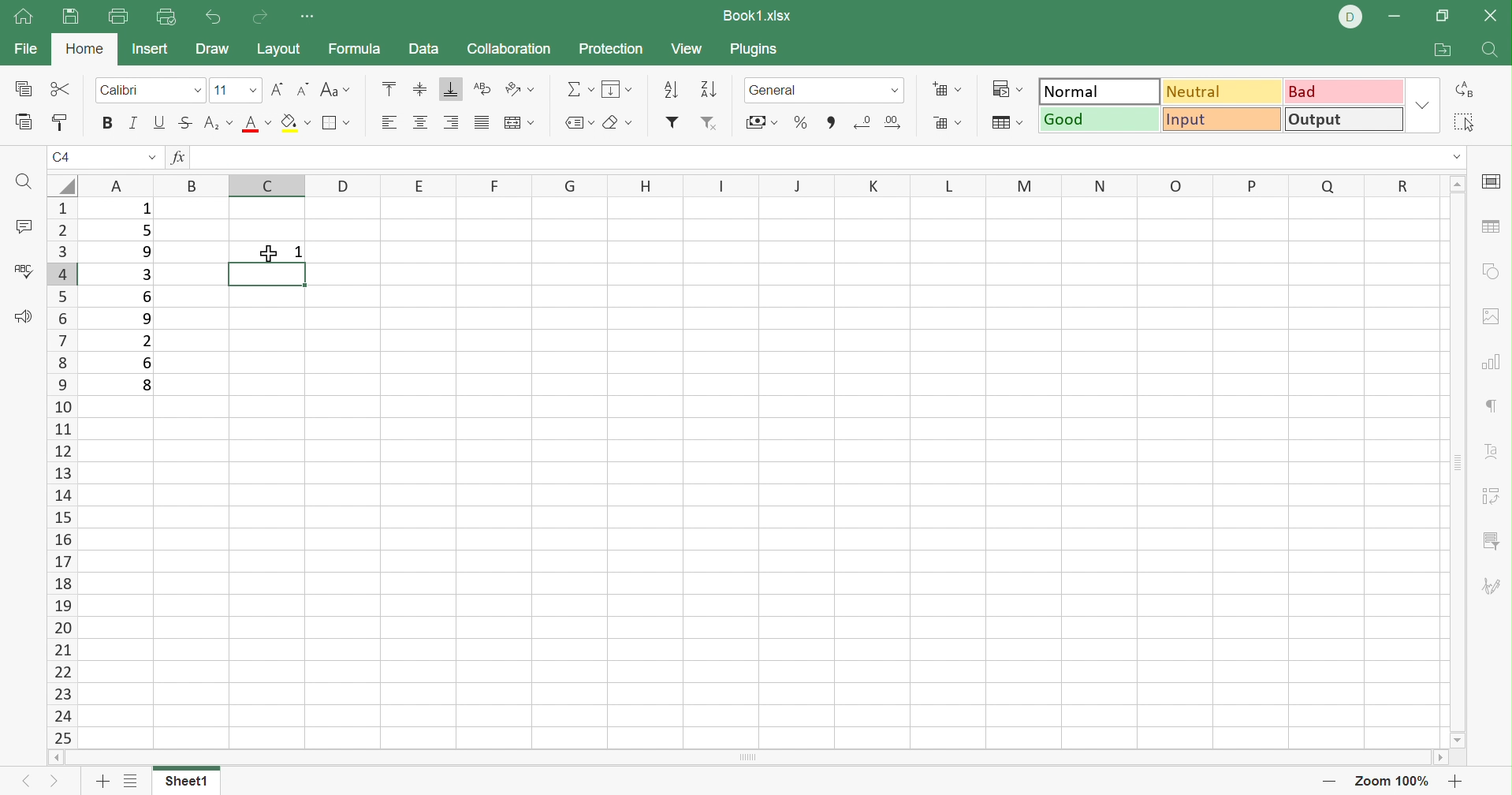  Describe the element at coordinates (1494, 271) in the screenshot. I see `Shape settings` at that location.